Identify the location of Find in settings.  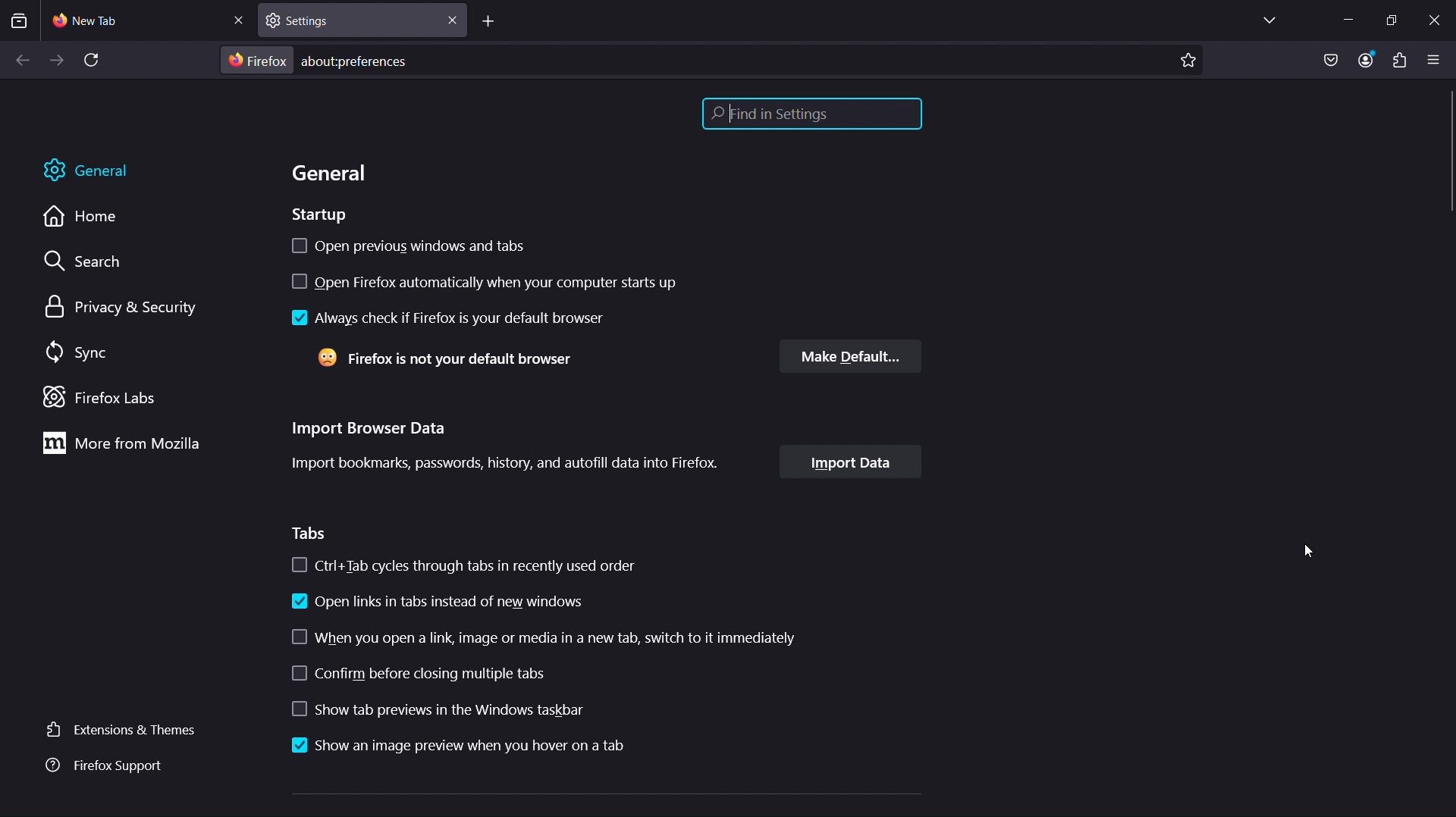
(812, 113).